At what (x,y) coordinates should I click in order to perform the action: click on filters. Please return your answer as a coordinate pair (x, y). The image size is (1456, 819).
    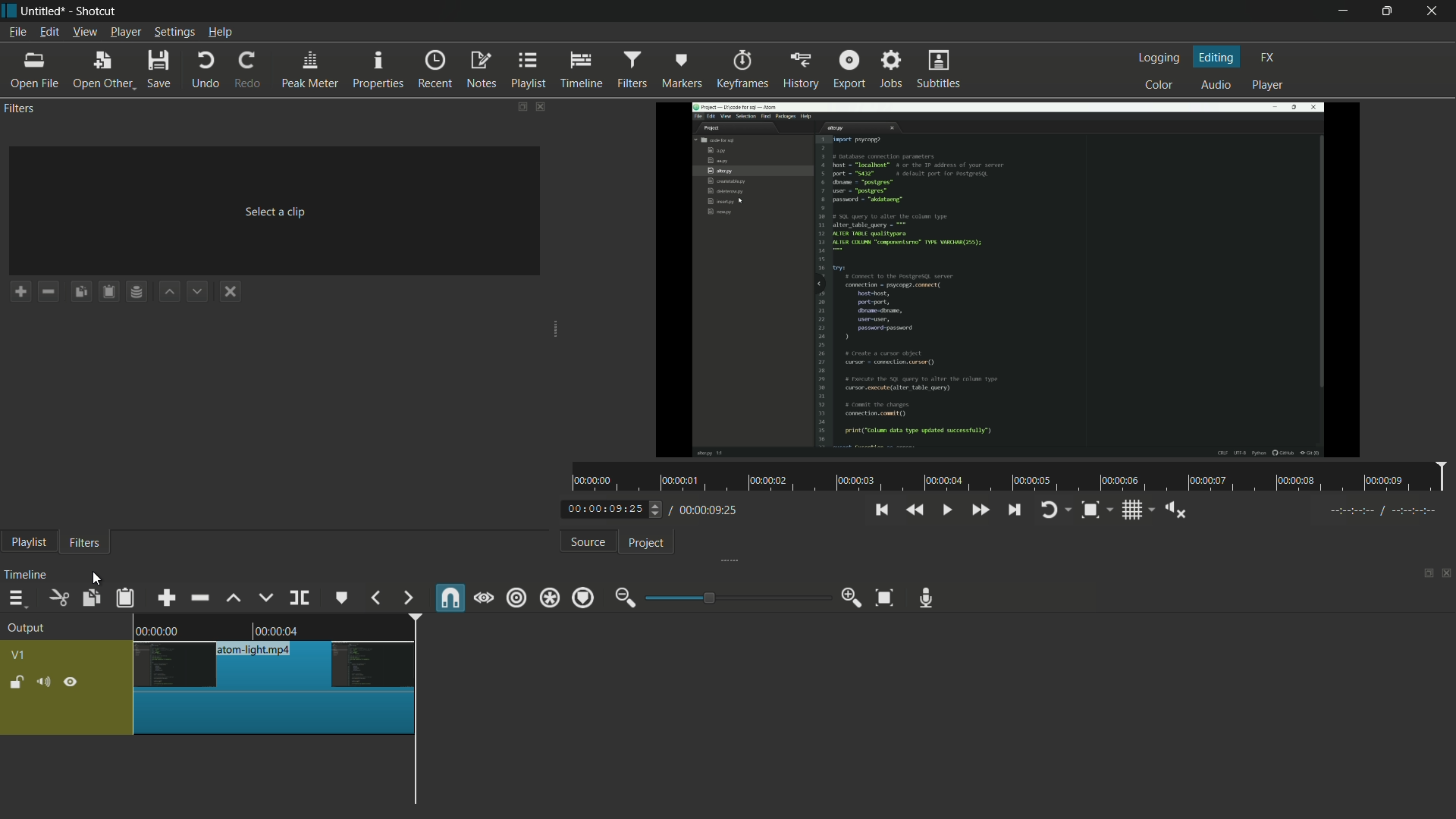
    Looking at the image, I should click on (635, 70).